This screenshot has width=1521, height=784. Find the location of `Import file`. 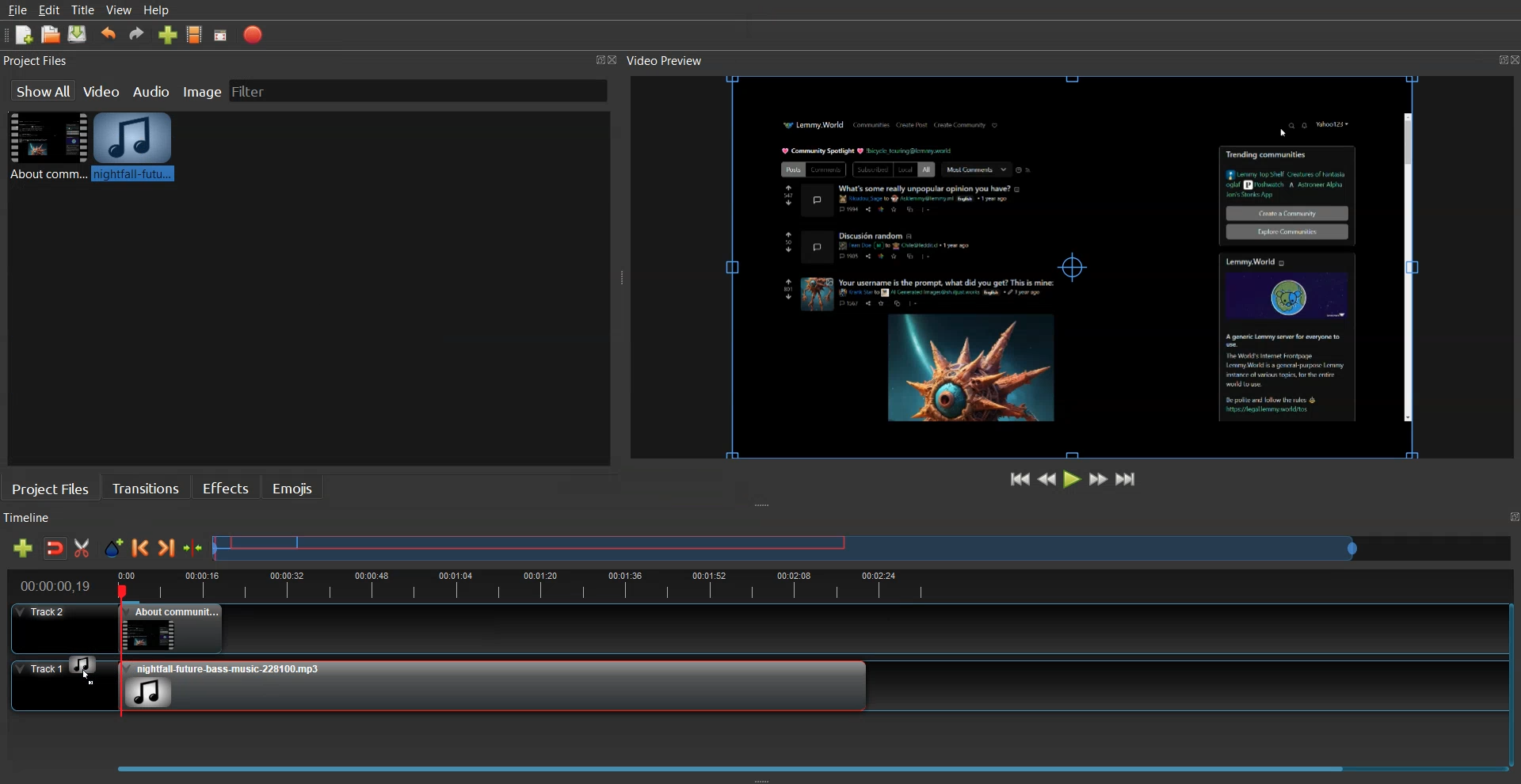

Import file is located at coordinates (169, 34).